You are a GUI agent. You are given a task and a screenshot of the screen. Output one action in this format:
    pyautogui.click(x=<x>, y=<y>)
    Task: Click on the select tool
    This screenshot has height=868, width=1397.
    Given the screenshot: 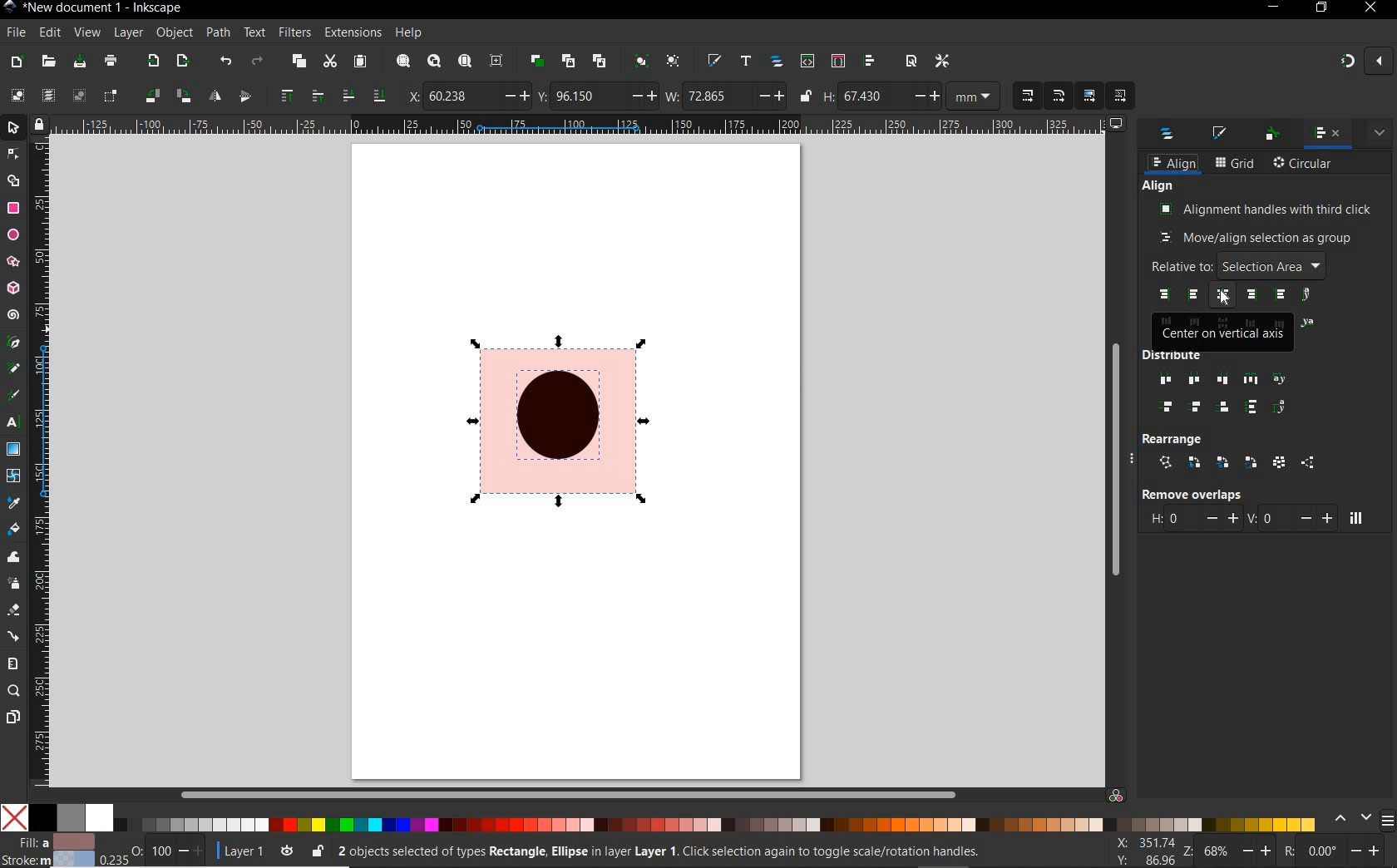 What is the action you would take?
    pyautogui.click(x=14, y=126)
    